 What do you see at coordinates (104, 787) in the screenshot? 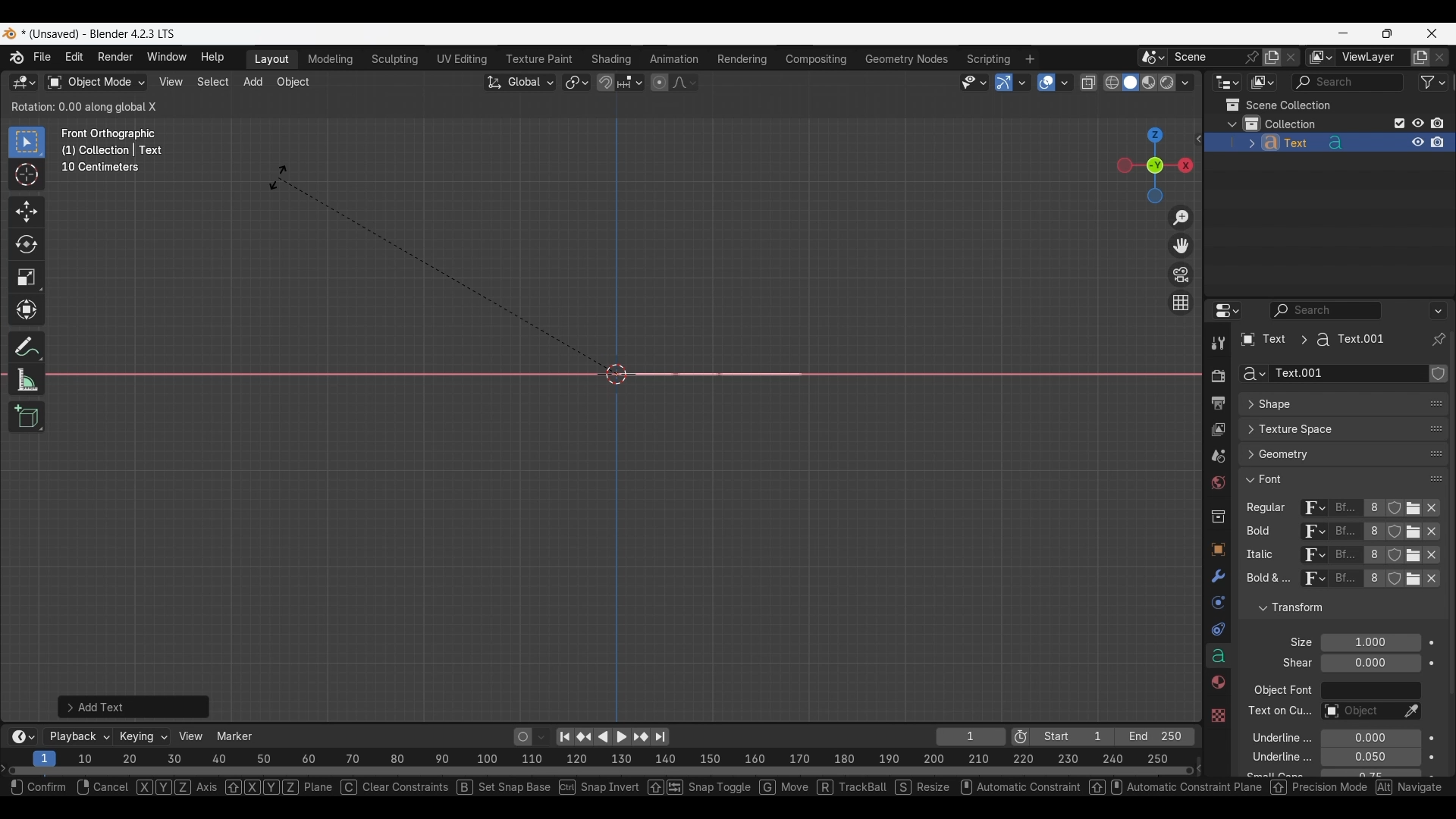
I see `` at bounding box center [104, 787].